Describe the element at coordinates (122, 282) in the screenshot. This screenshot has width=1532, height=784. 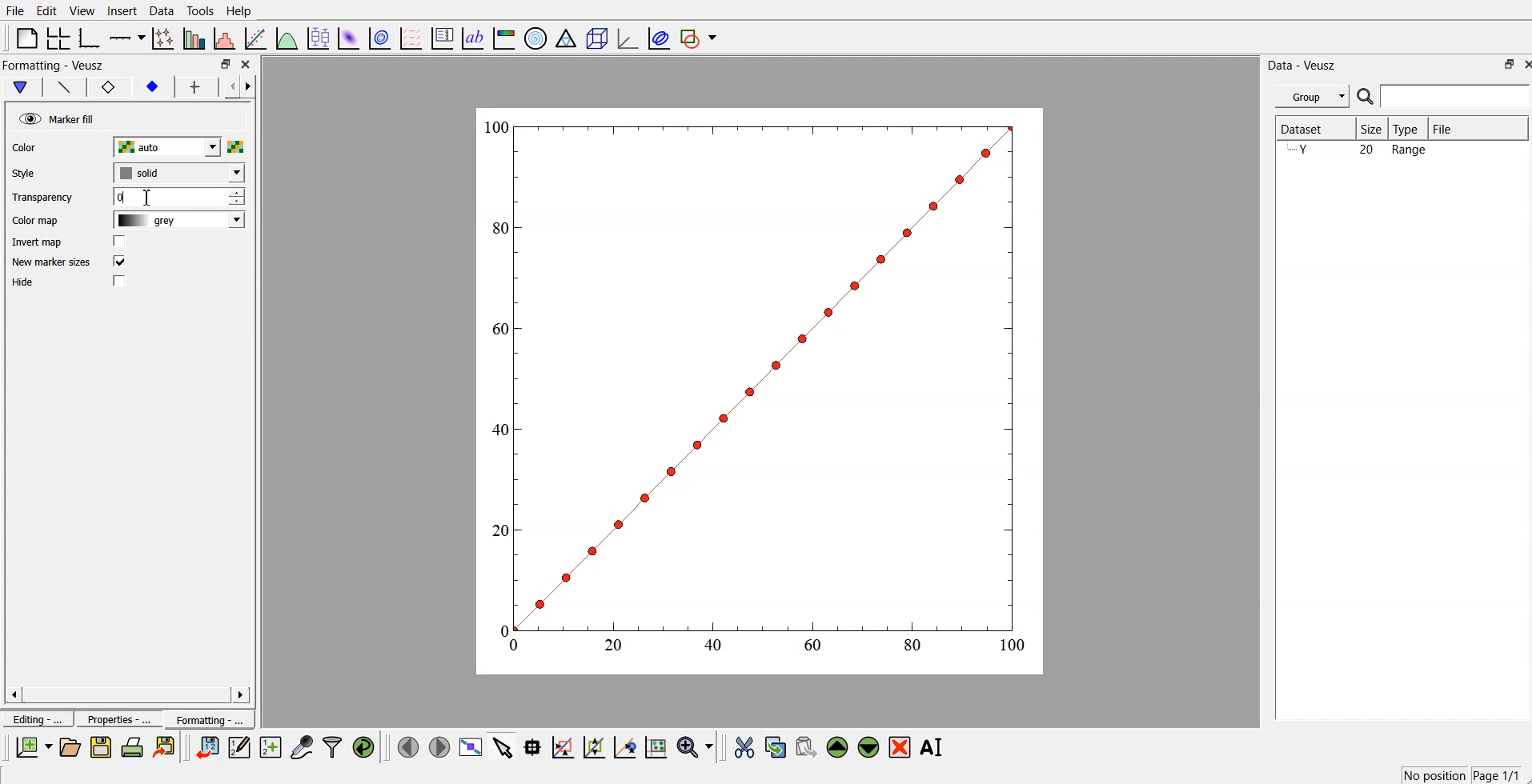
I see `checkbox` at that location.